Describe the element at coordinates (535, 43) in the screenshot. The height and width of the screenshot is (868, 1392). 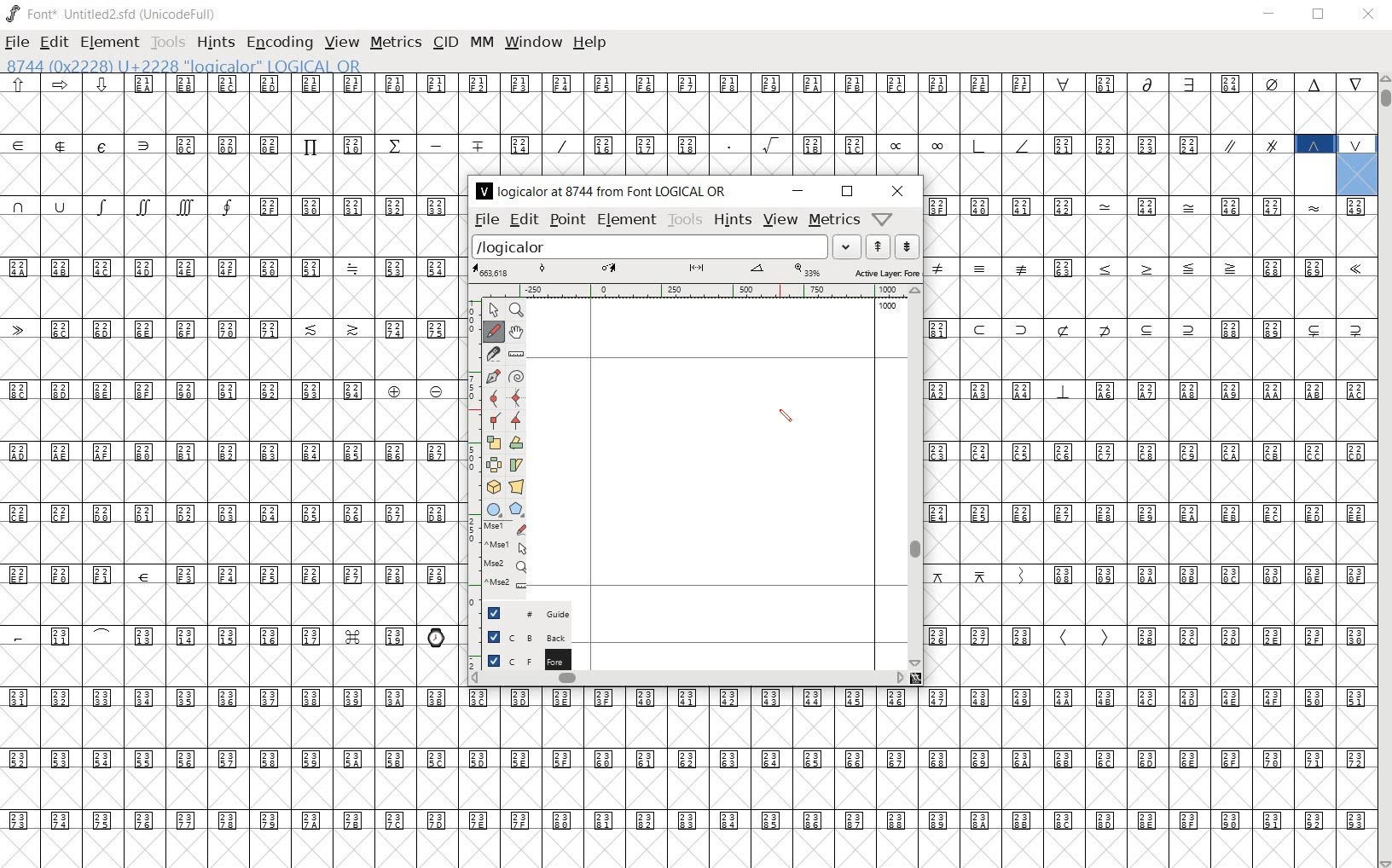
I see `window` at that location.